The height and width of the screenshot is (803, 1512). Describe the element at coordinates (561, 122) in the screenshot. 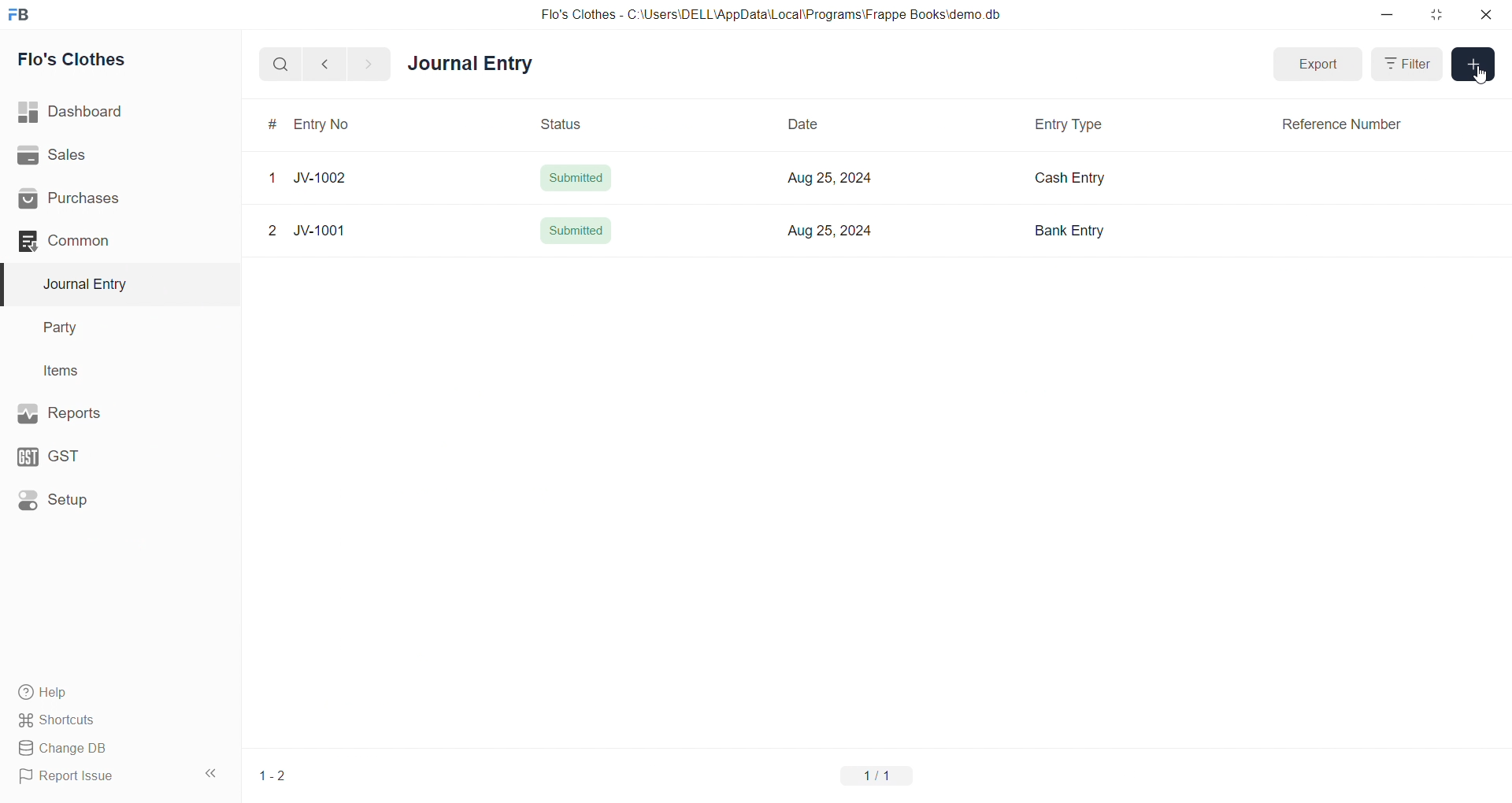

I see `Status` at that location.